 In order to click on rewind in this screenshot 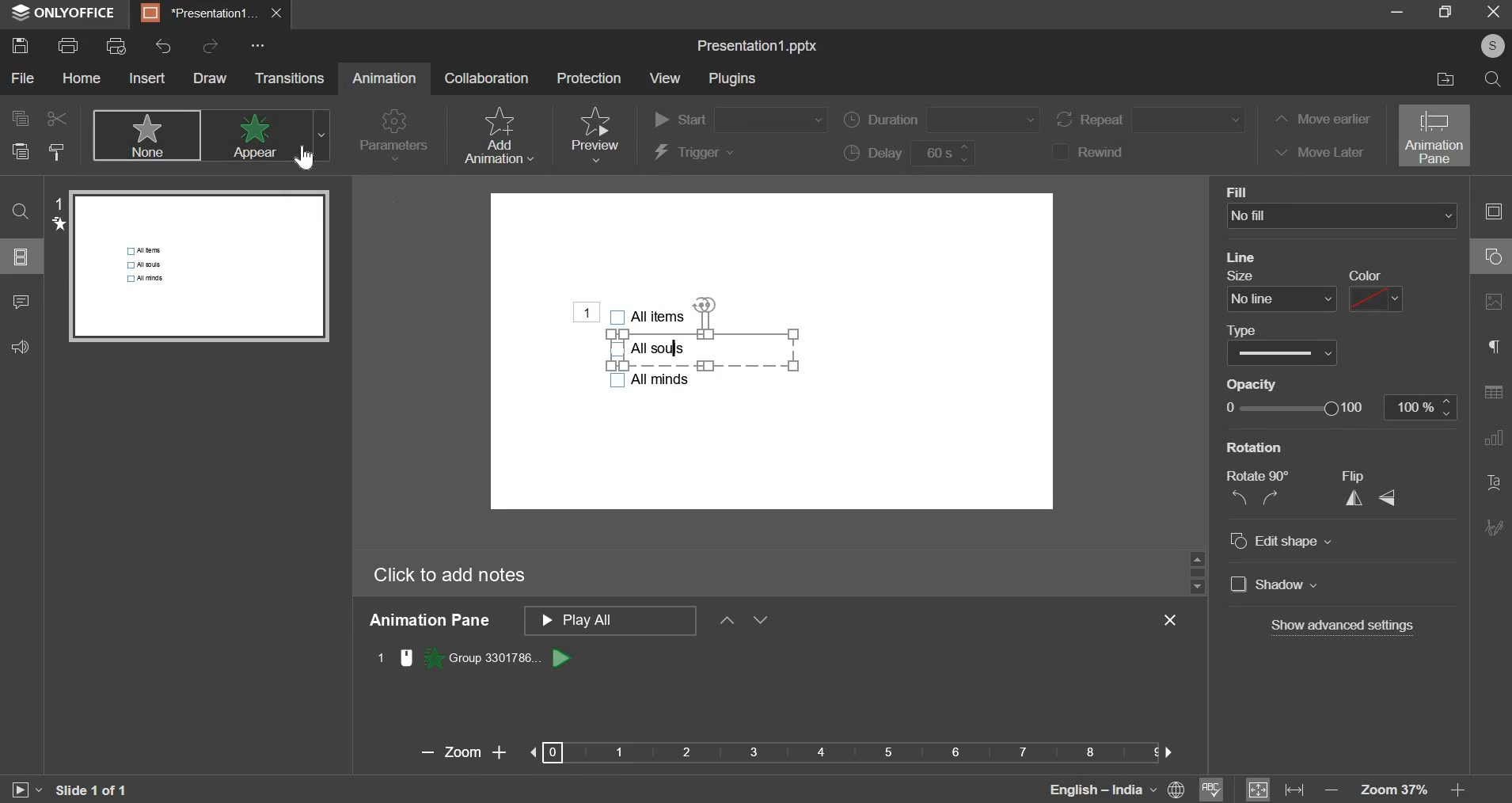, I will do `click(1095, 151)`.